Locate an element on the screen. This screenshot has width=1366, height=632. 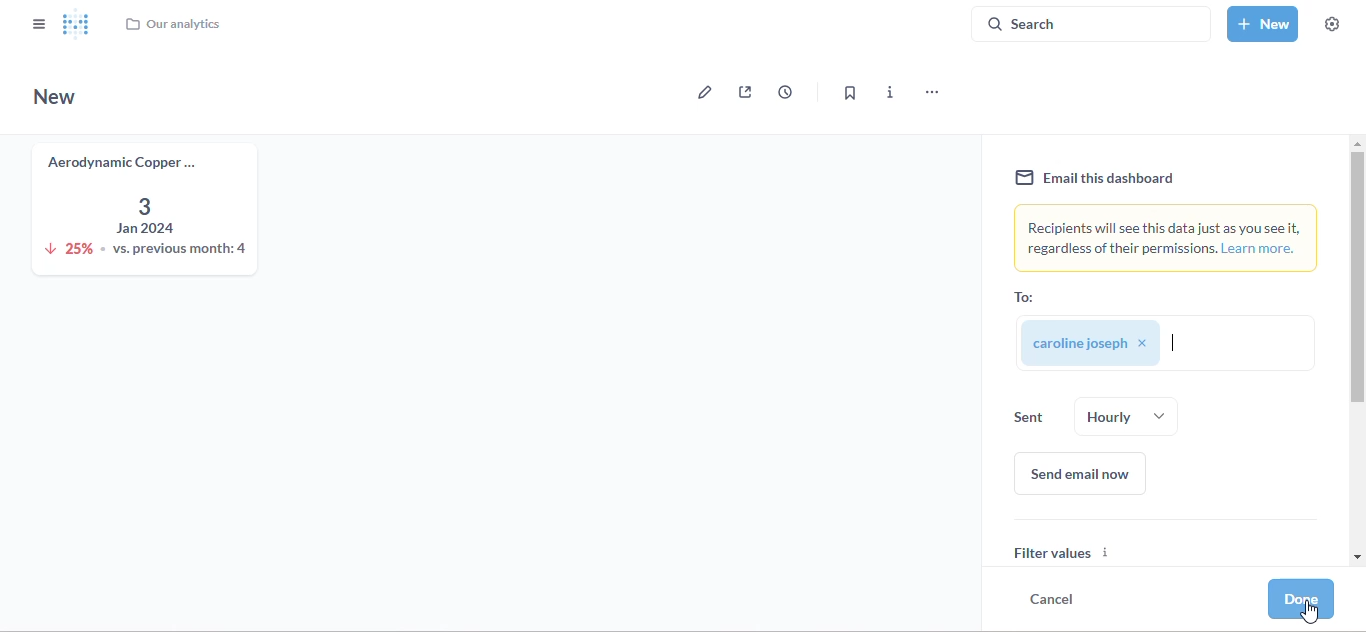
our analytics is located at coordinates (172, 24).